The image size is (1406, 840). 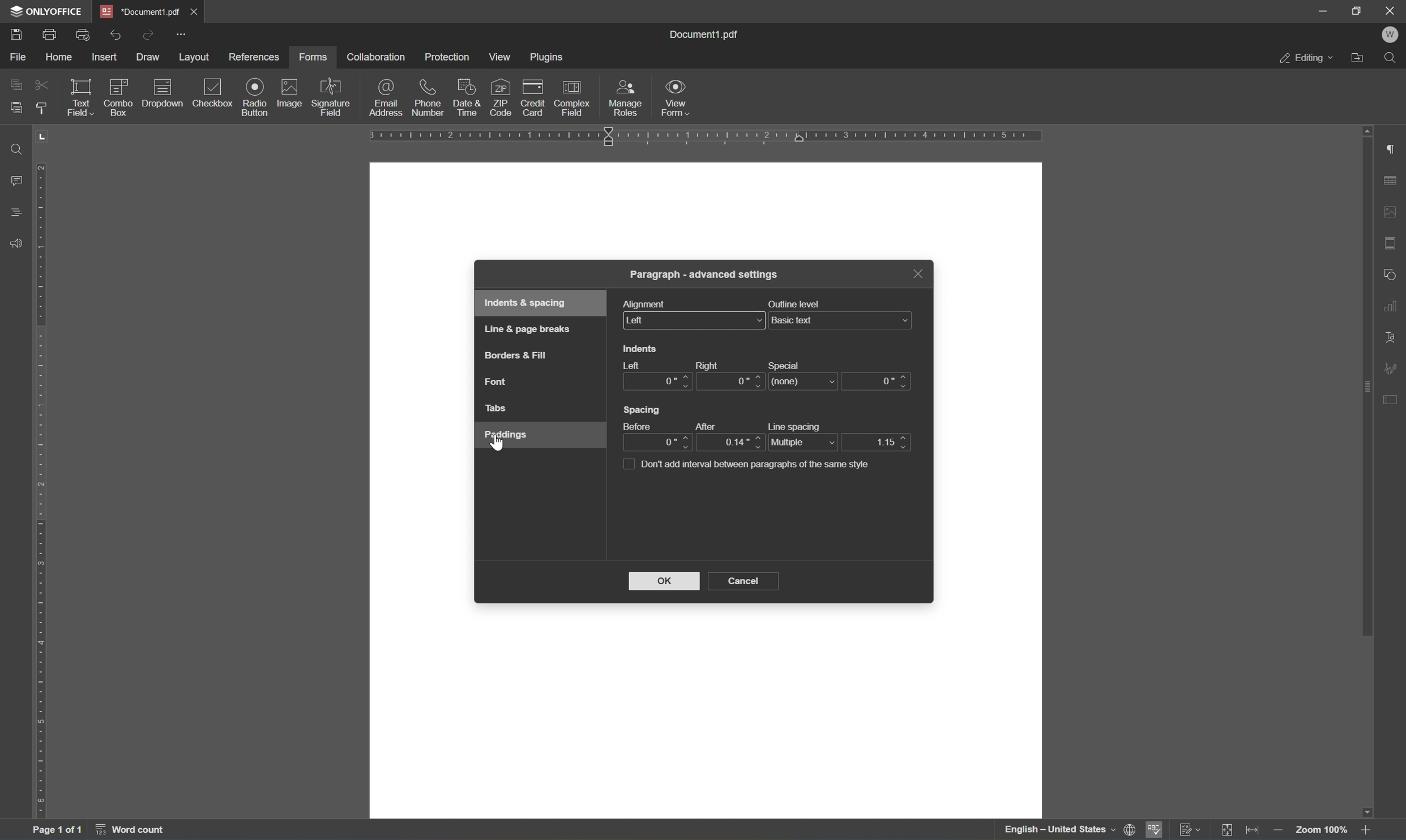 What do you see at coordinates (149, 57) in the screenshot?
I see `draw` at bounding box center [149, 57].